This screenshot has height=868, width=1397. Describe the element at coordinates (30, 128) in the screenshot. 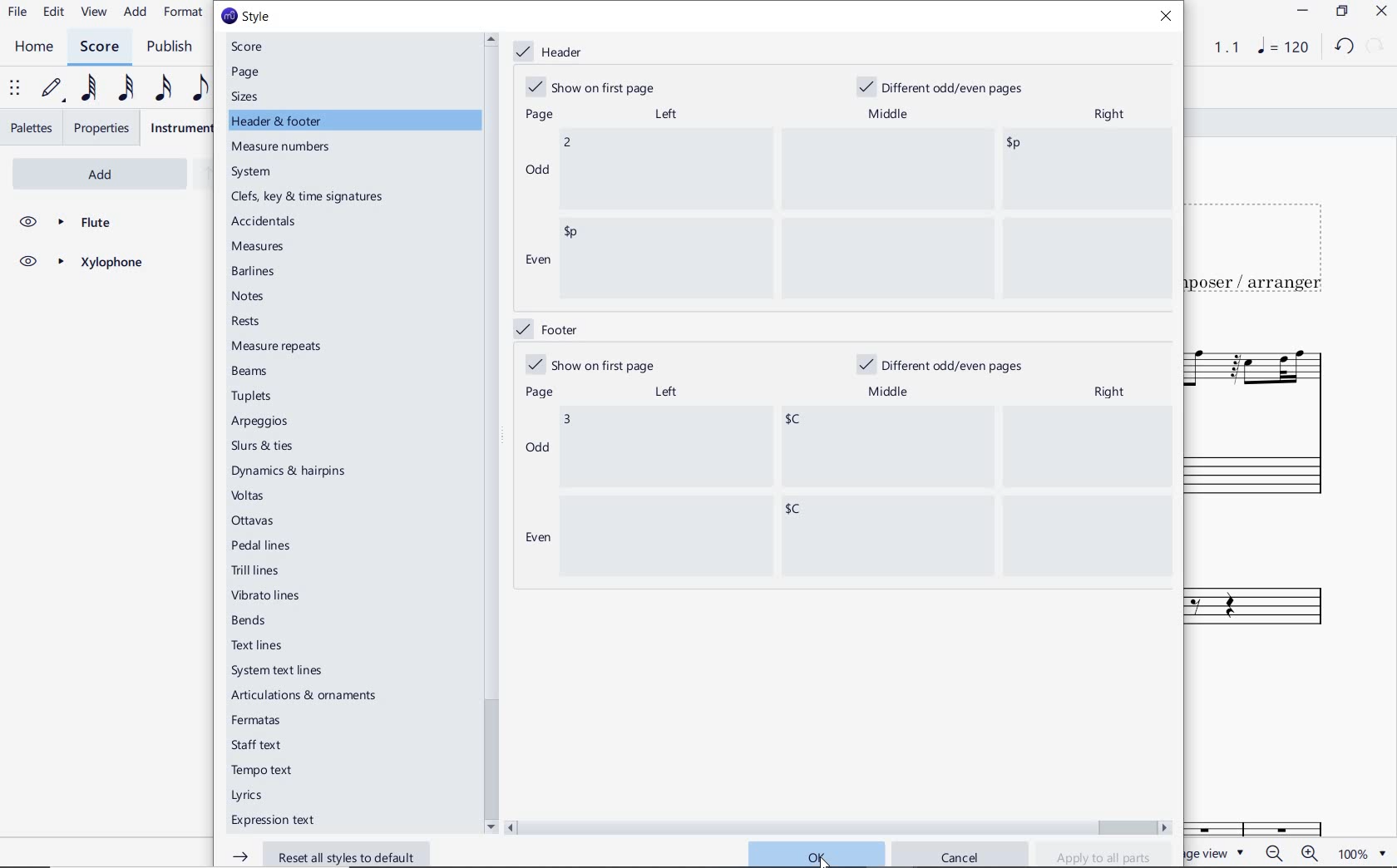

I see `PALETTES` at that location.